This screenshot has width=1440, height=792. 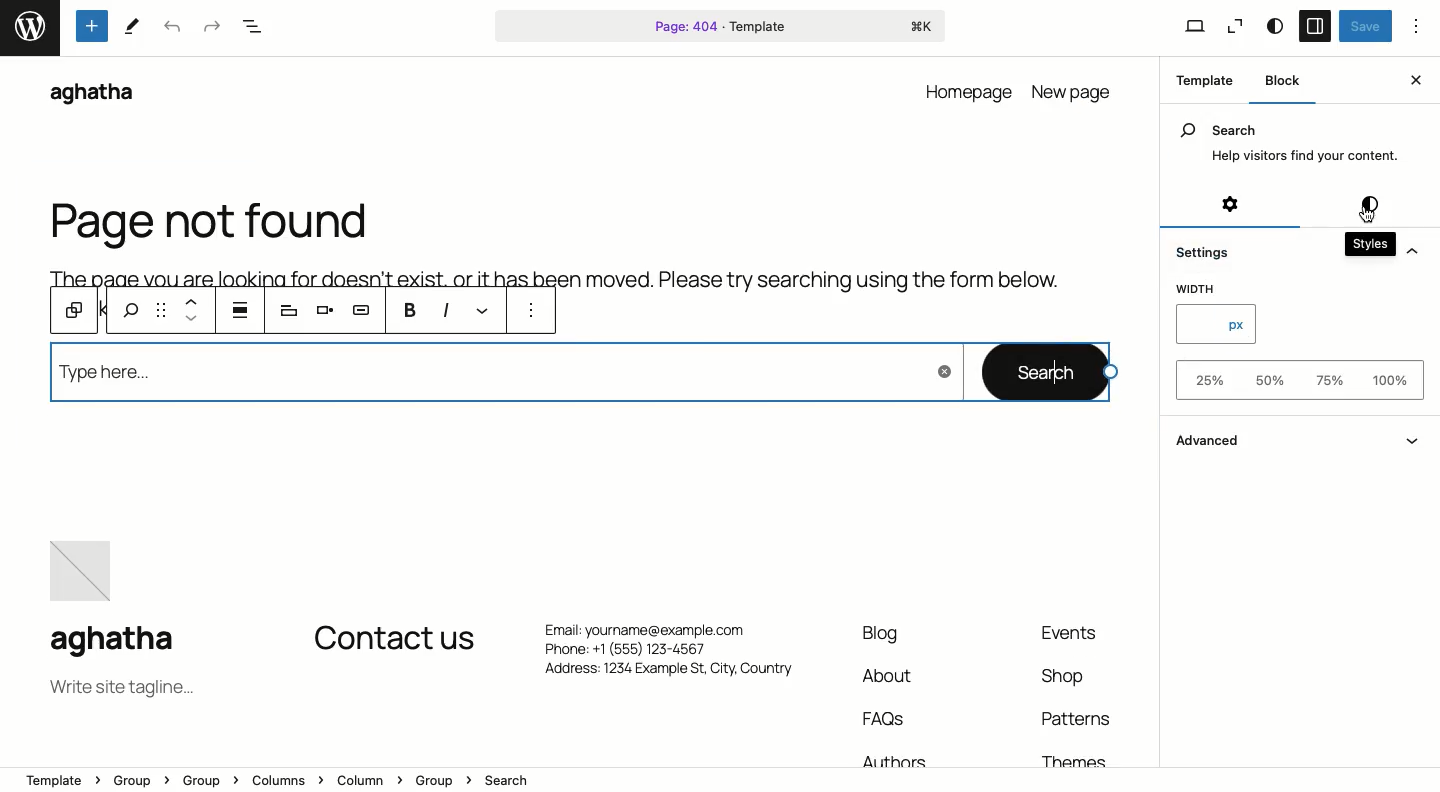 I want to click on Tagline, so click(x=120, y=689).